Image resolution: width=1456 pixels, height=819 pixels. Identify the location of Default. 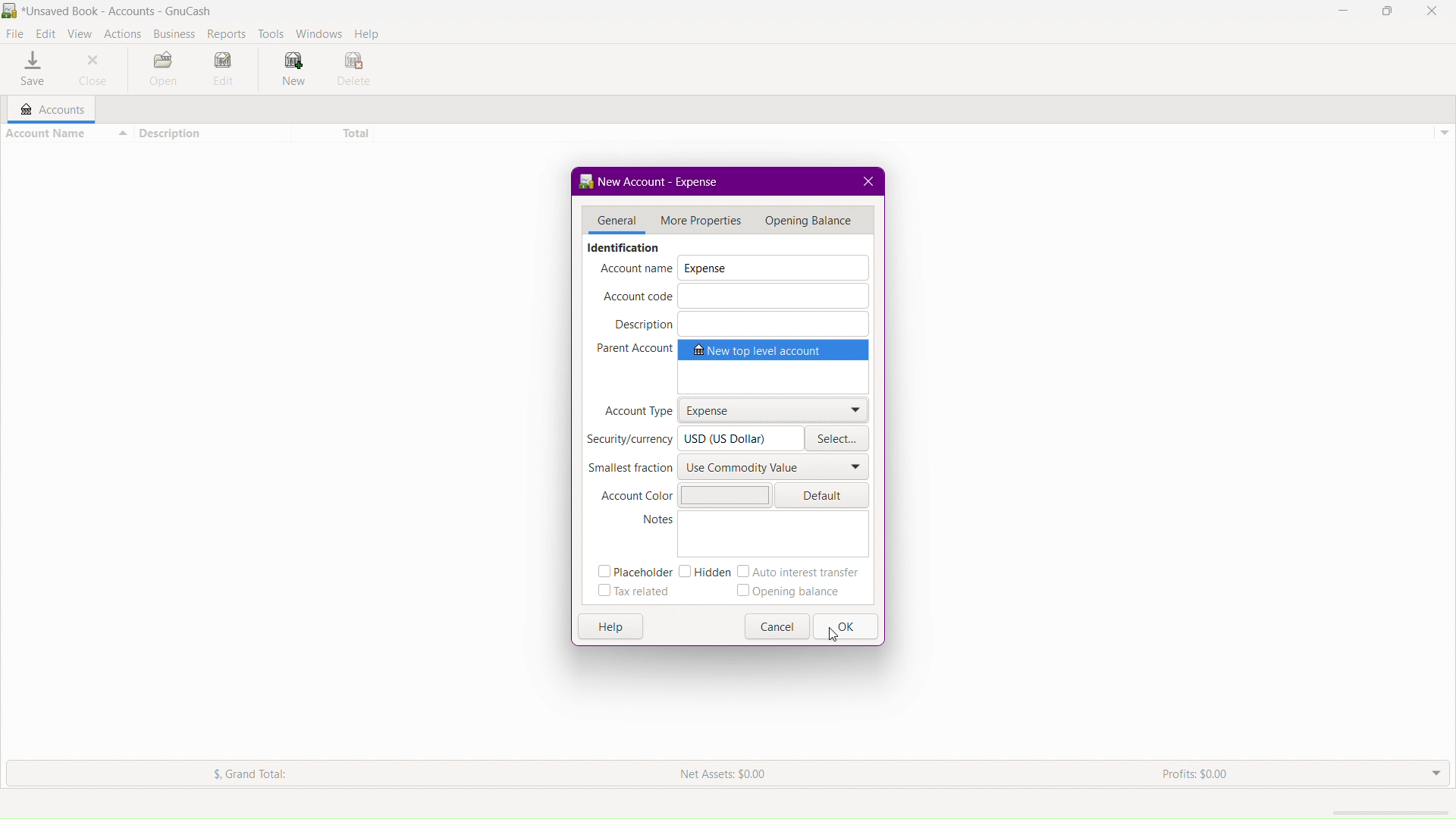
(826, 494).